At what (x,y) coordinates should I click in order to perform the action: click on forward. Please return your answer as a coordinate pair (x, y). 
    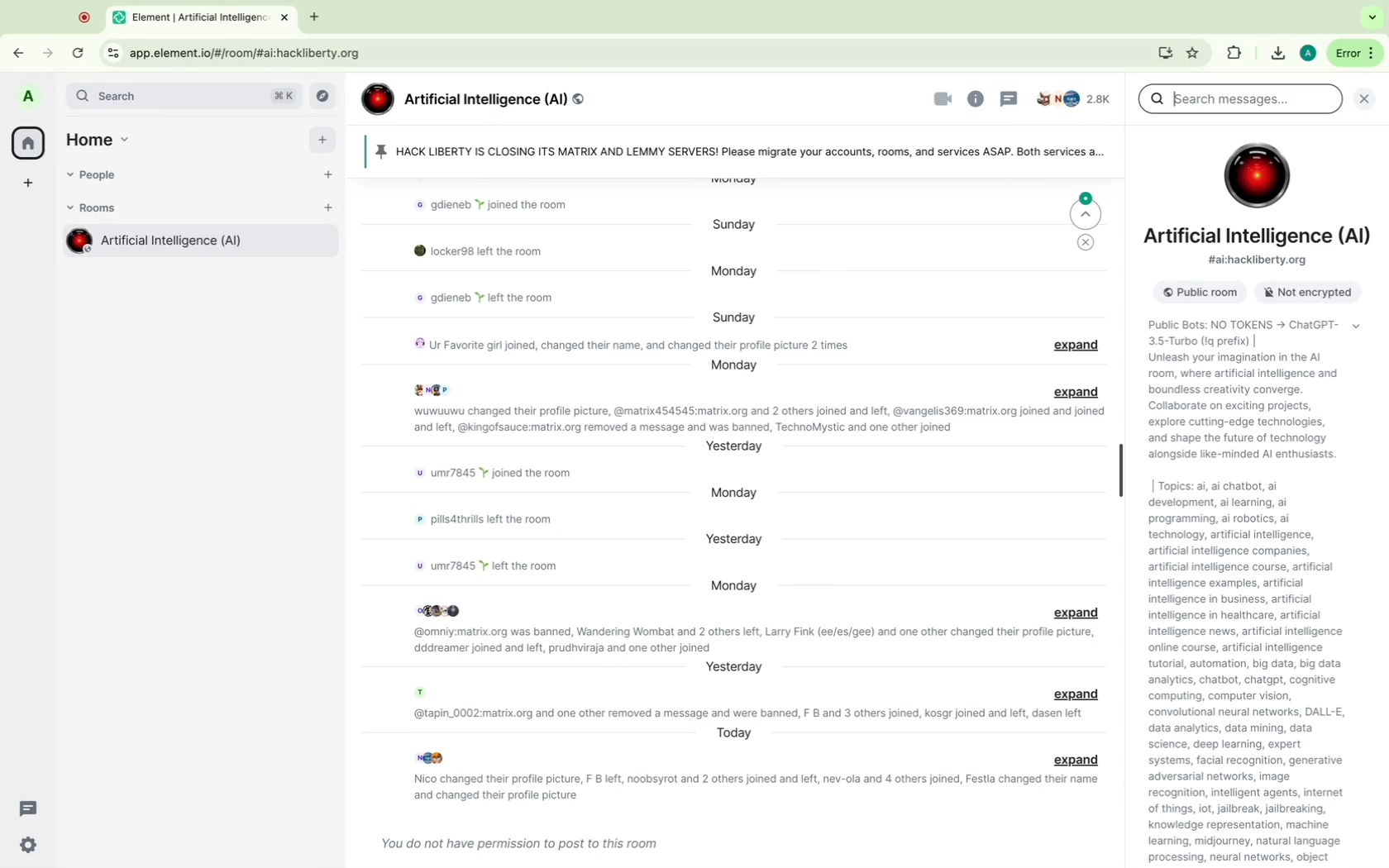
    Looking at the image, I should click on (45, 48).